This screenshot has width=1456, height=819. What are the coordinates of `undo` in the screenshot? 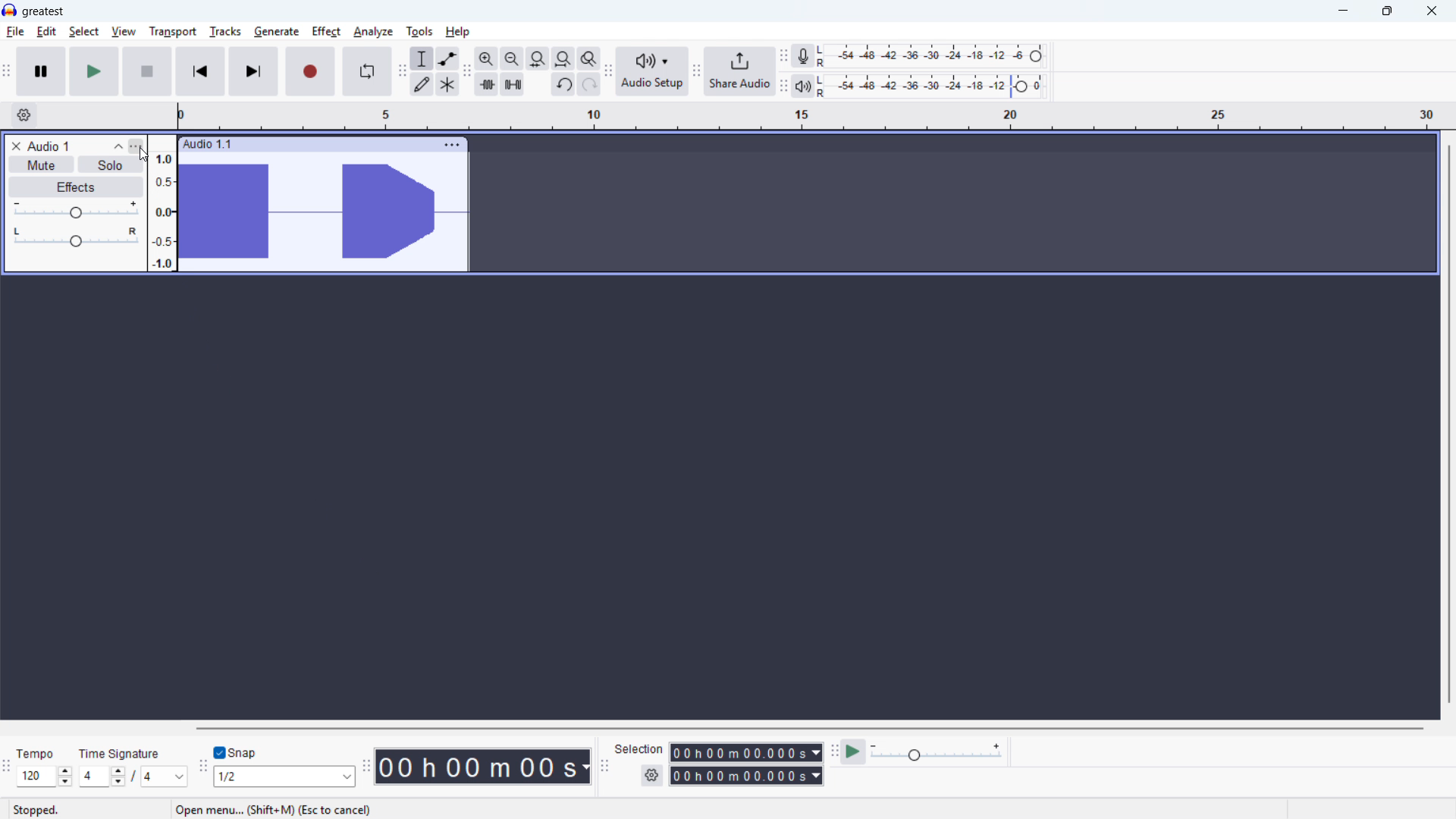 It's located at (563, 85).